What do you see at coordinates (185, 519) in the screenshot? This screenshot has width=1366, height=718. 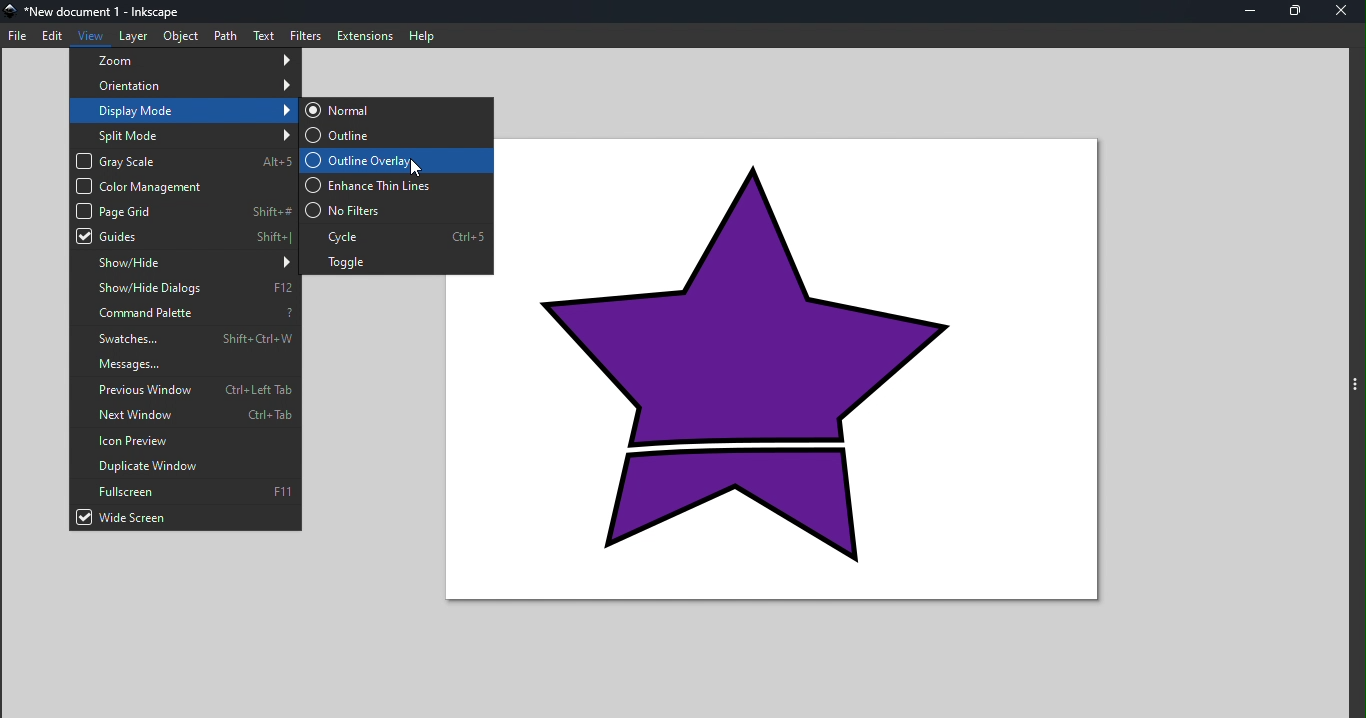 I see `Wide screen` at bounding box center [185, 519].